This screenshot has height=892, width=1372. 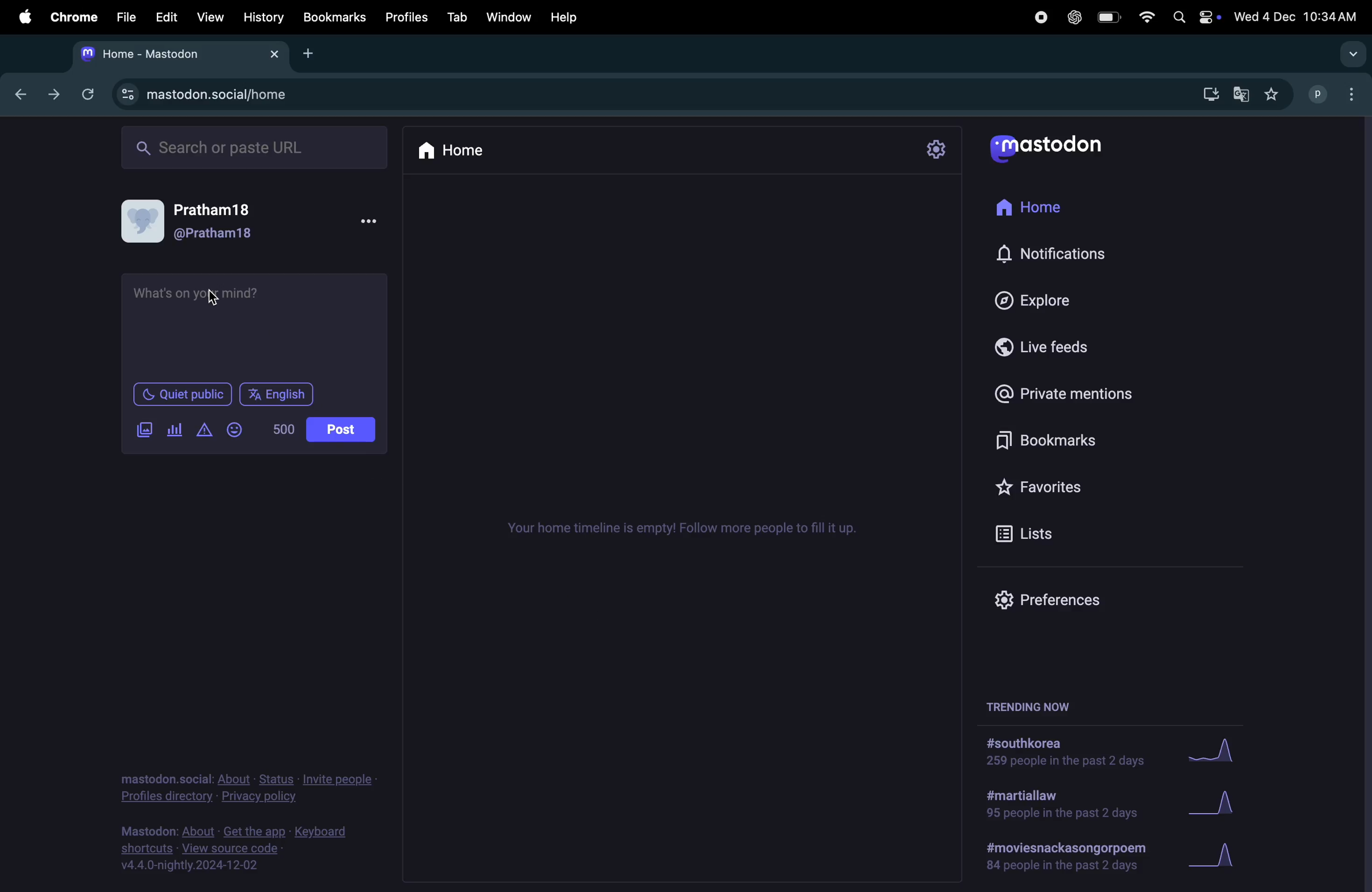 I want to click on privacy and policy, so click(x=246, y=785).